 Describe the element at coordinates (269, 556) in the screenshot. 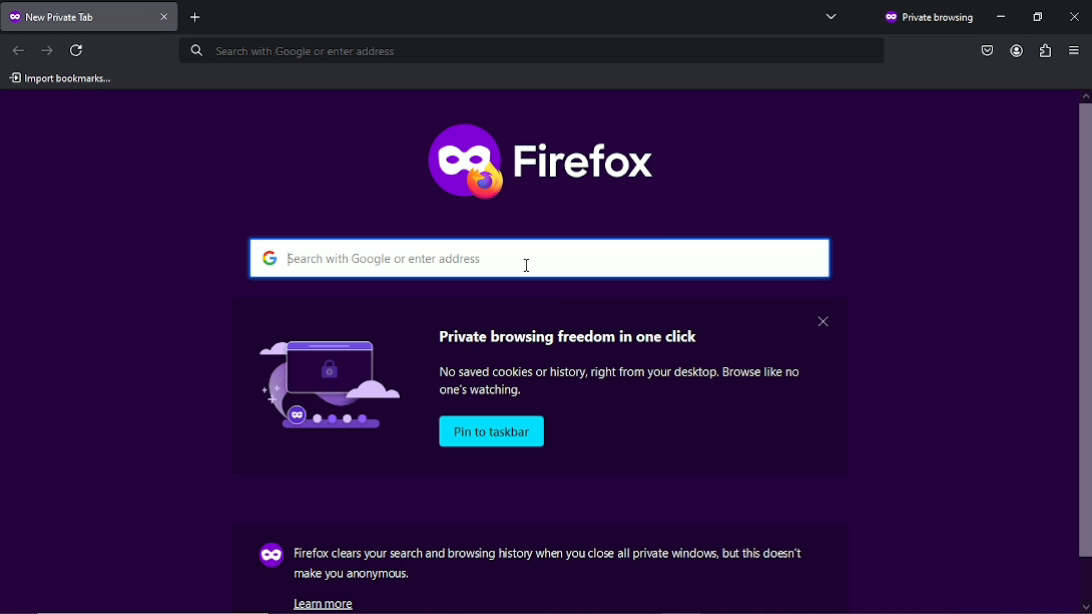

I see `icon` at that location.